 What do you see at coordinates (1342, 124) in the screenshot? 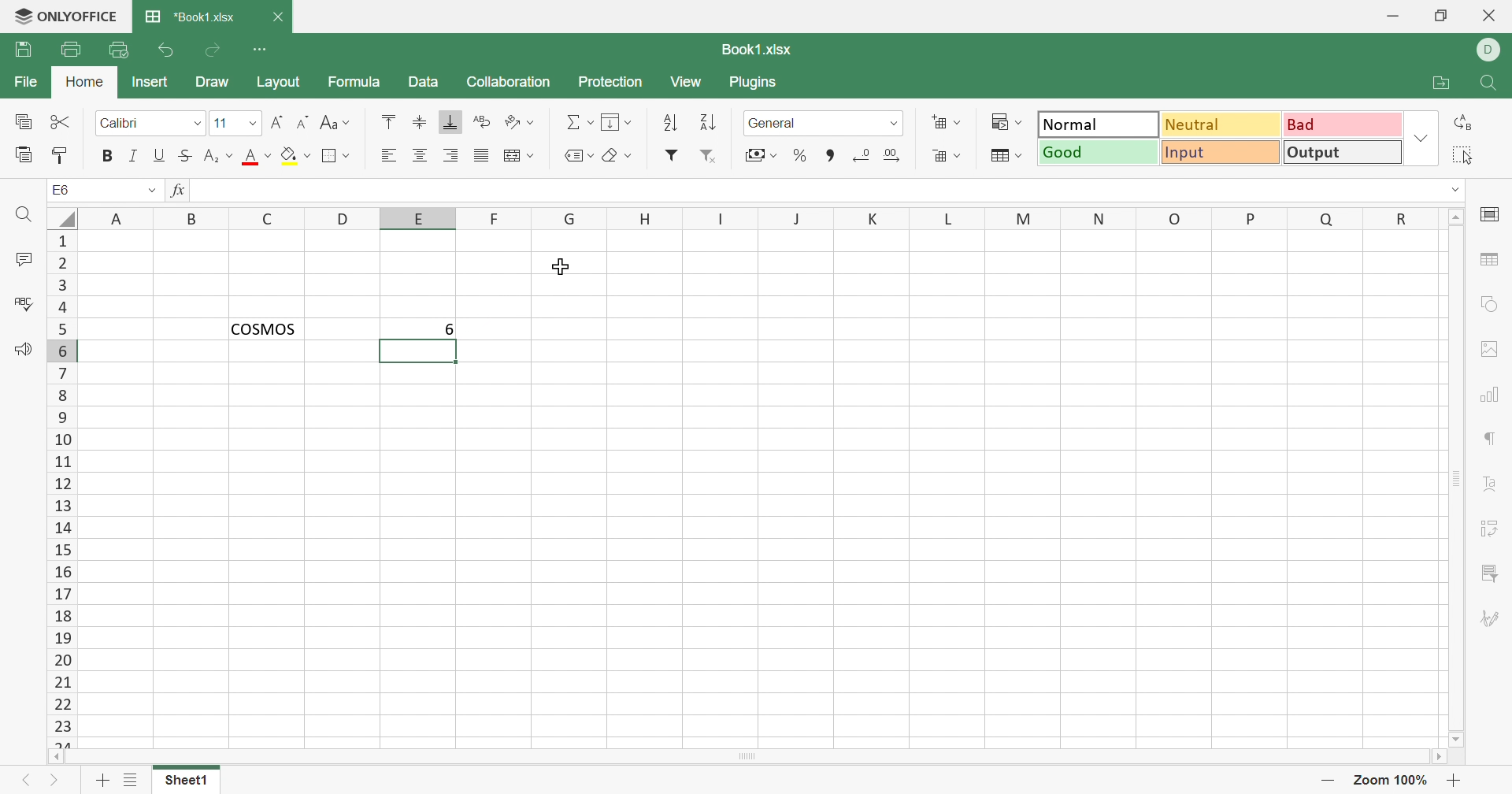
I see `Bad` at bounding box center [1342, 124].